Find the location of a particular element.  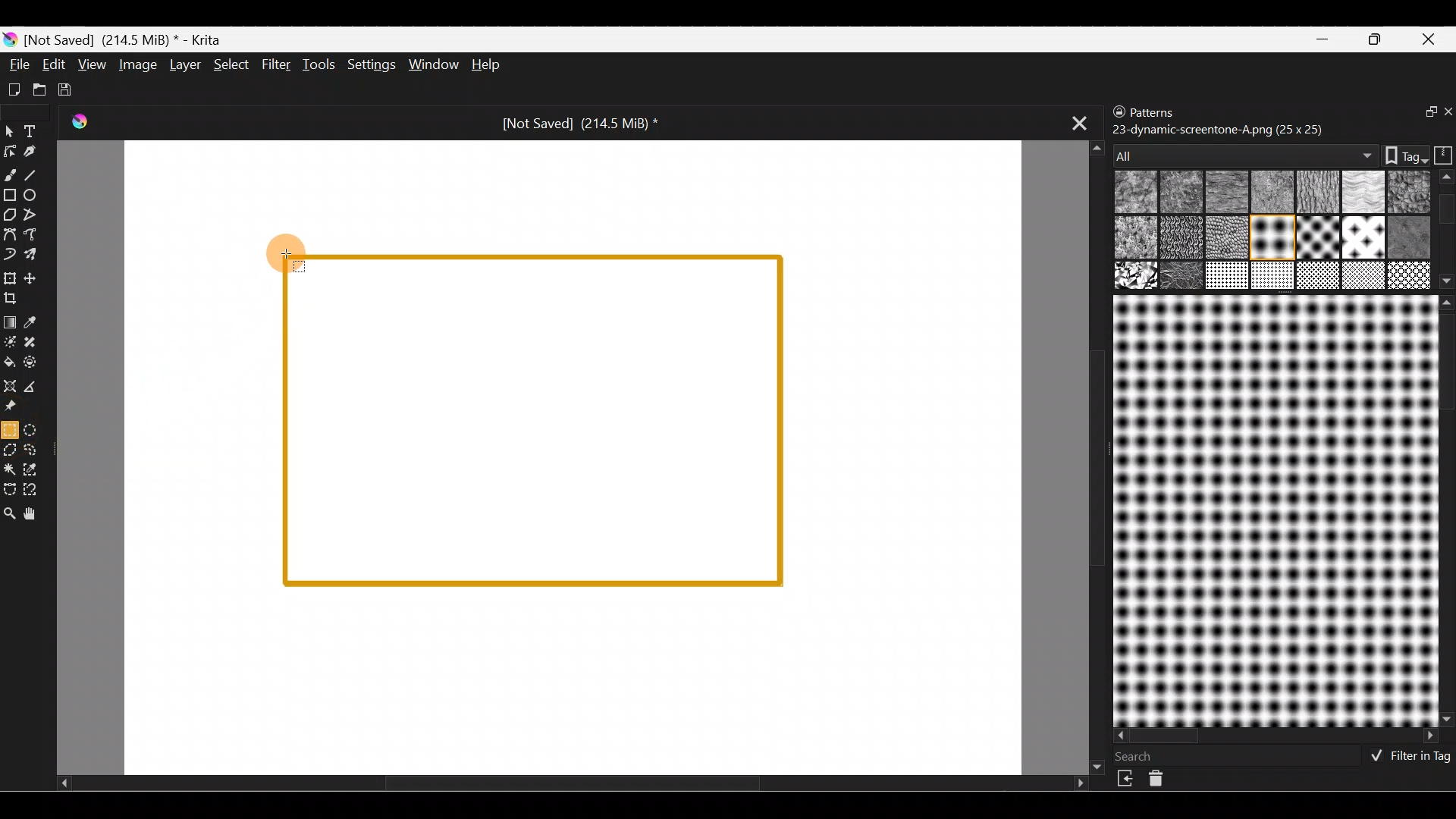

Lock/unlock docker is located at coordinates (1116, 113).